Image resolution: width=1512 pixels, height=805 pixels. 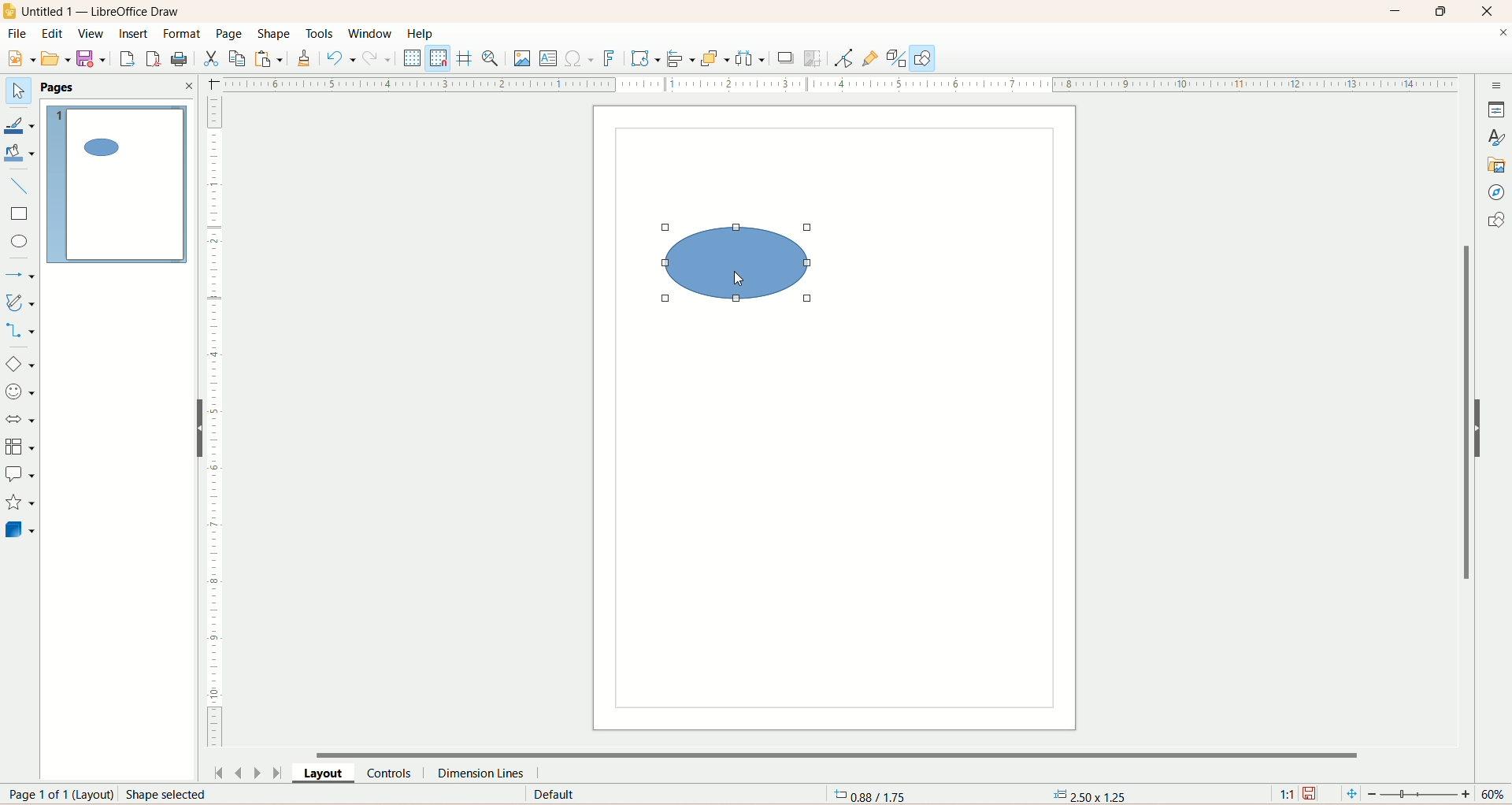 What do you see at coordinates (21, 122) in the screenshot?
I see `line color` at bounding box center [21, 122].